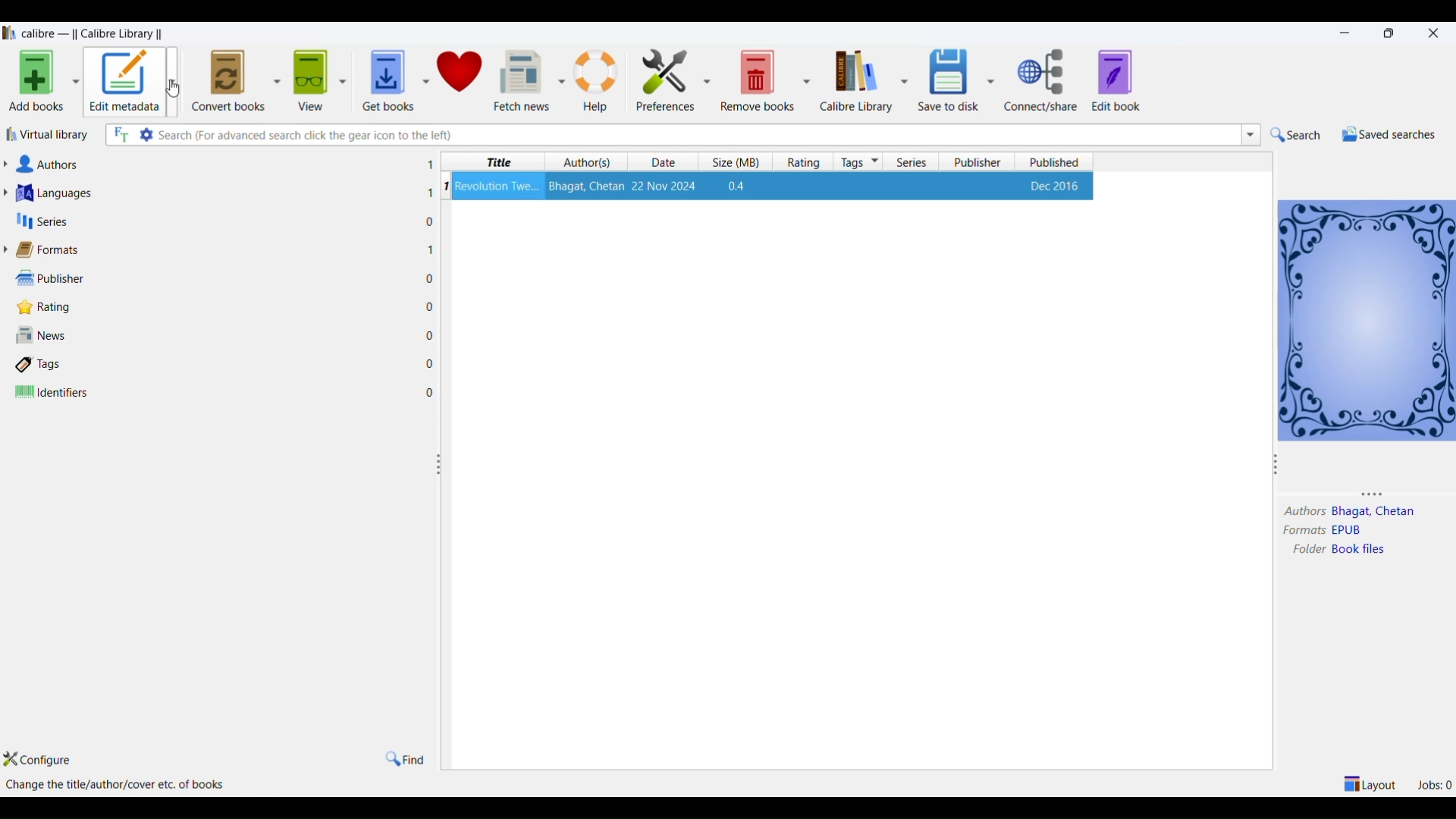 The height and width of the screenshot is (819, 1456). What do you see at coordinates (430, 222) in the screenshot?
I see `0` at bounding box center [430, 222].